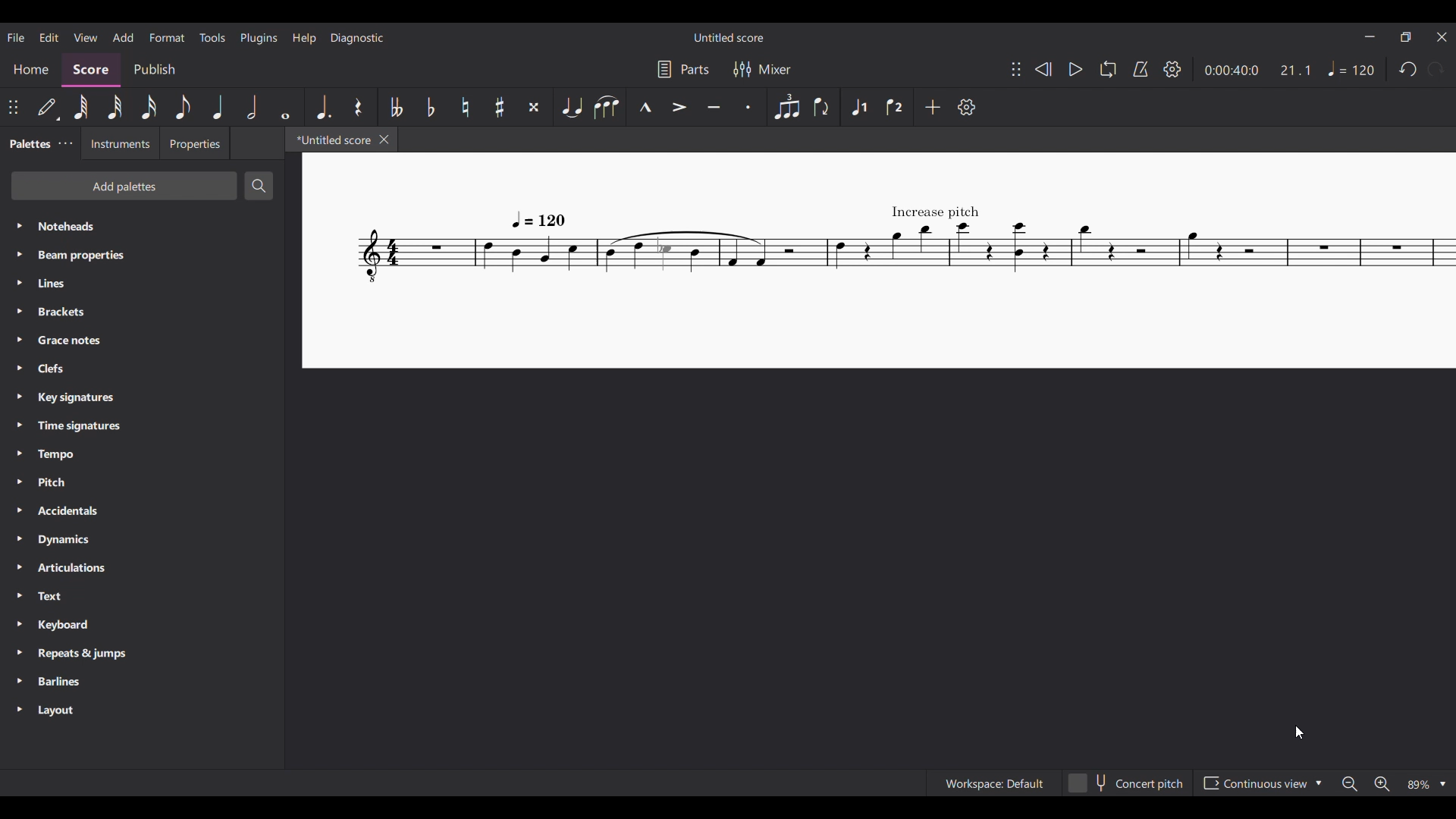 The width and height of the screenshot is (1456, 819). What do you see at coordinates (115, 108) in the screenshot?
I see `32nd note` at bounding box center [115, 108].